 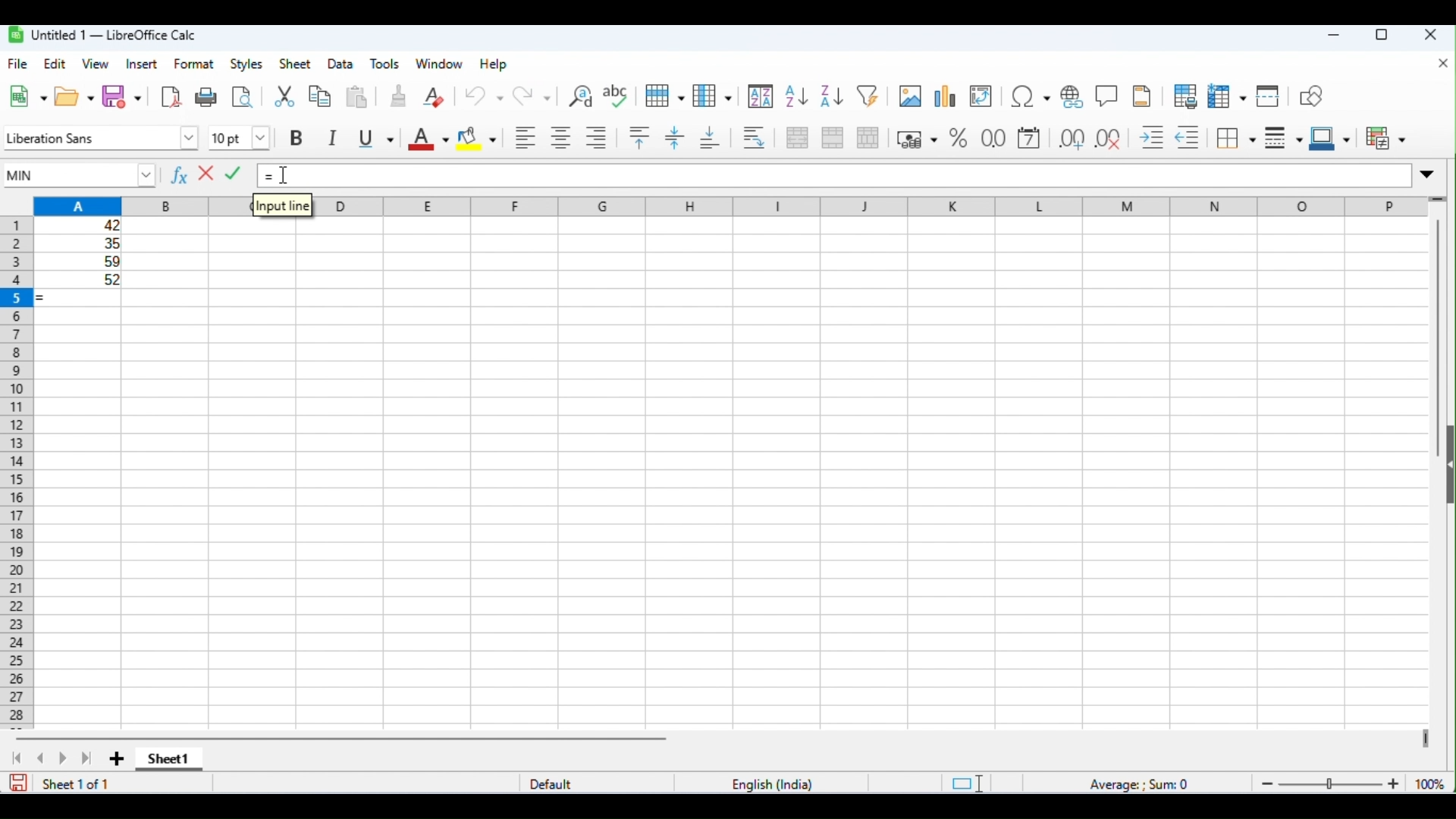 I want to click on insert chart, so click(x=943, y=96).